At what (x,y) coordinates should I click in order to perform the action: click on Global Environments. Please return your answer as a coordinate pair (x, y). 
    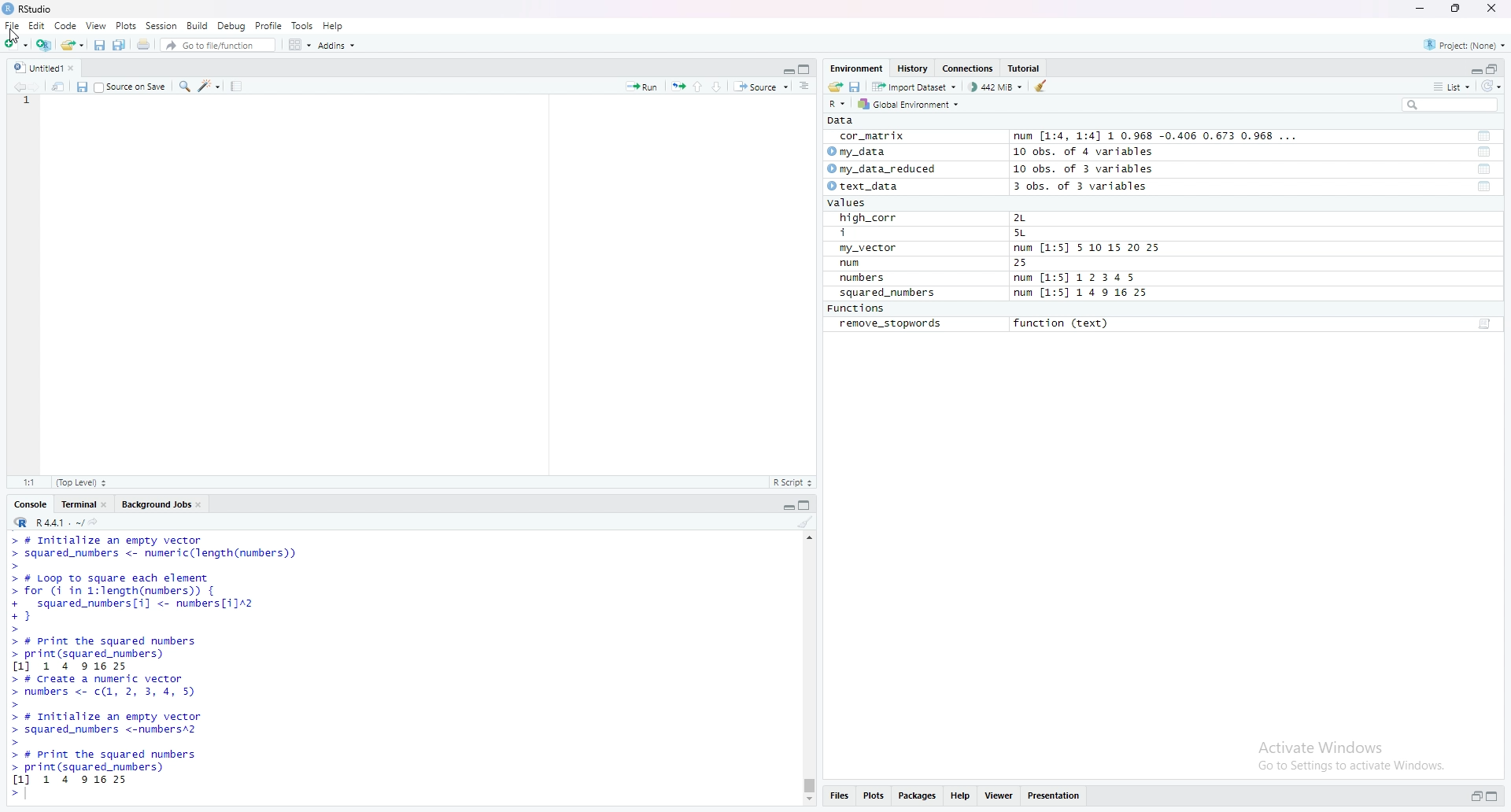
    Looking at the image, I should click on (907, 105).